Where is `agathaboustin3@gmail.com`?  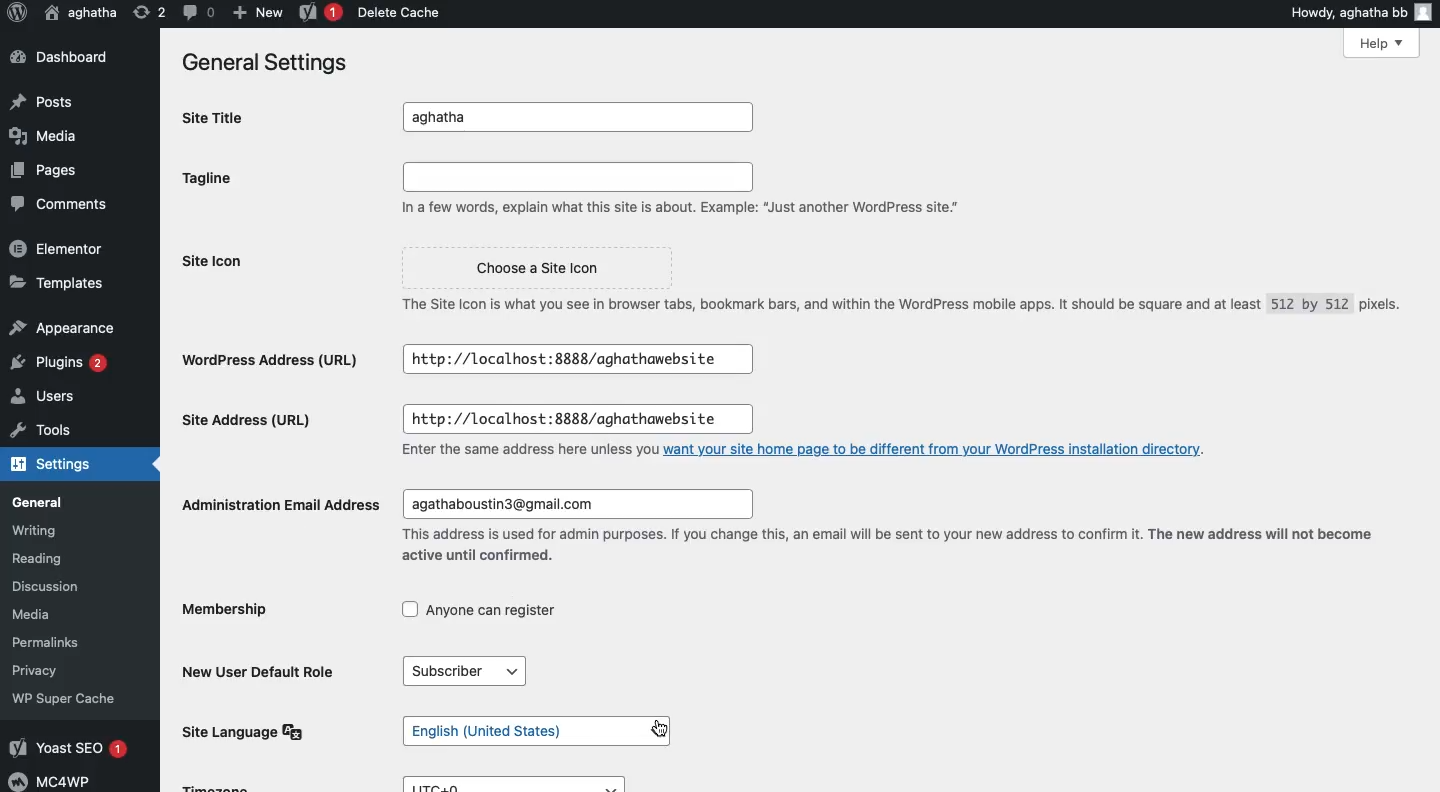 agathaboustin3@gmail.com is located at coordinates (573, 505).